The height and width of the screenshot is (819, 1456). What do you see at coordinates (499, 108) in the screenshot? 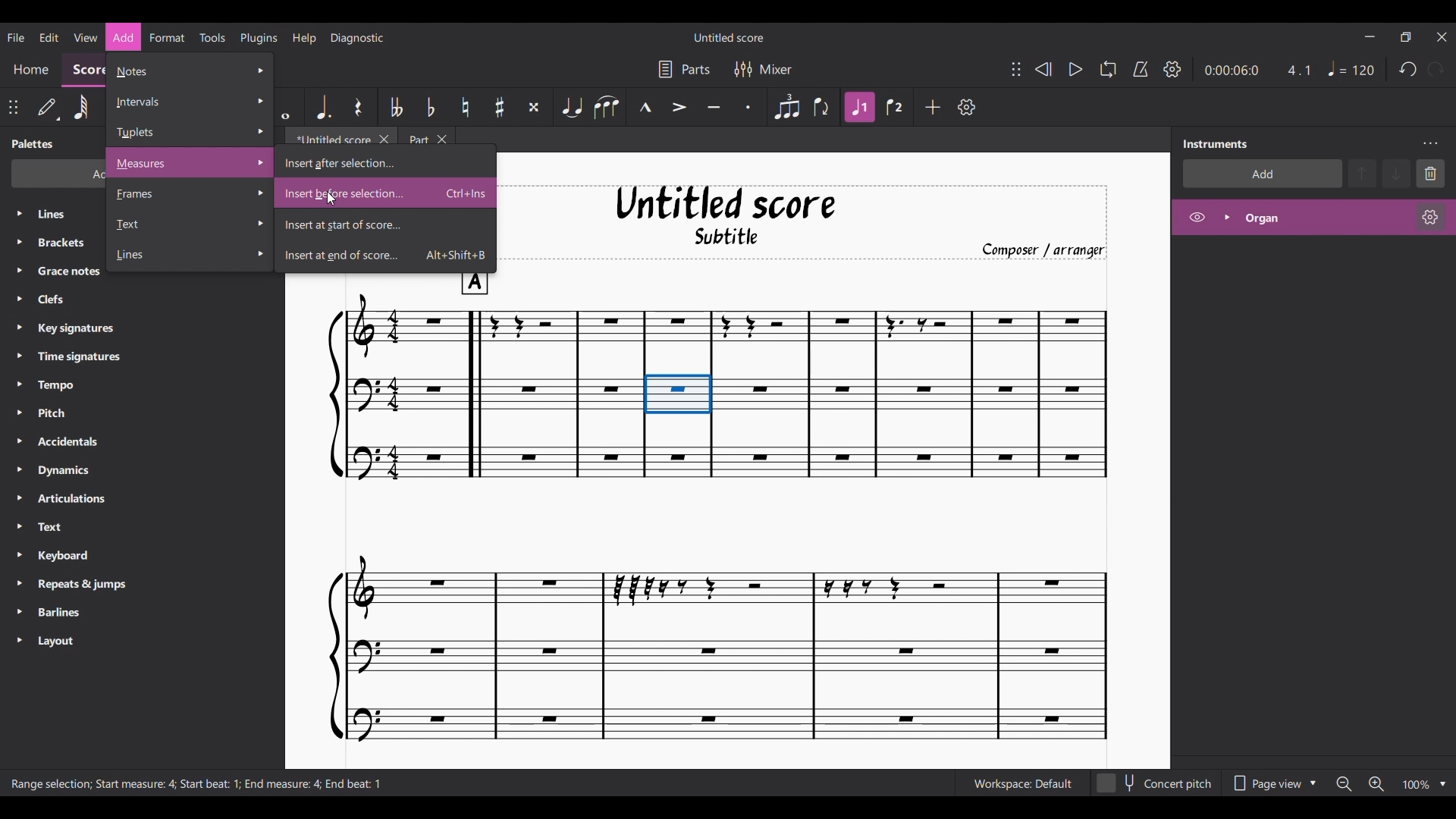
I see `Toggle sharp` at bounding box center [499, 108].